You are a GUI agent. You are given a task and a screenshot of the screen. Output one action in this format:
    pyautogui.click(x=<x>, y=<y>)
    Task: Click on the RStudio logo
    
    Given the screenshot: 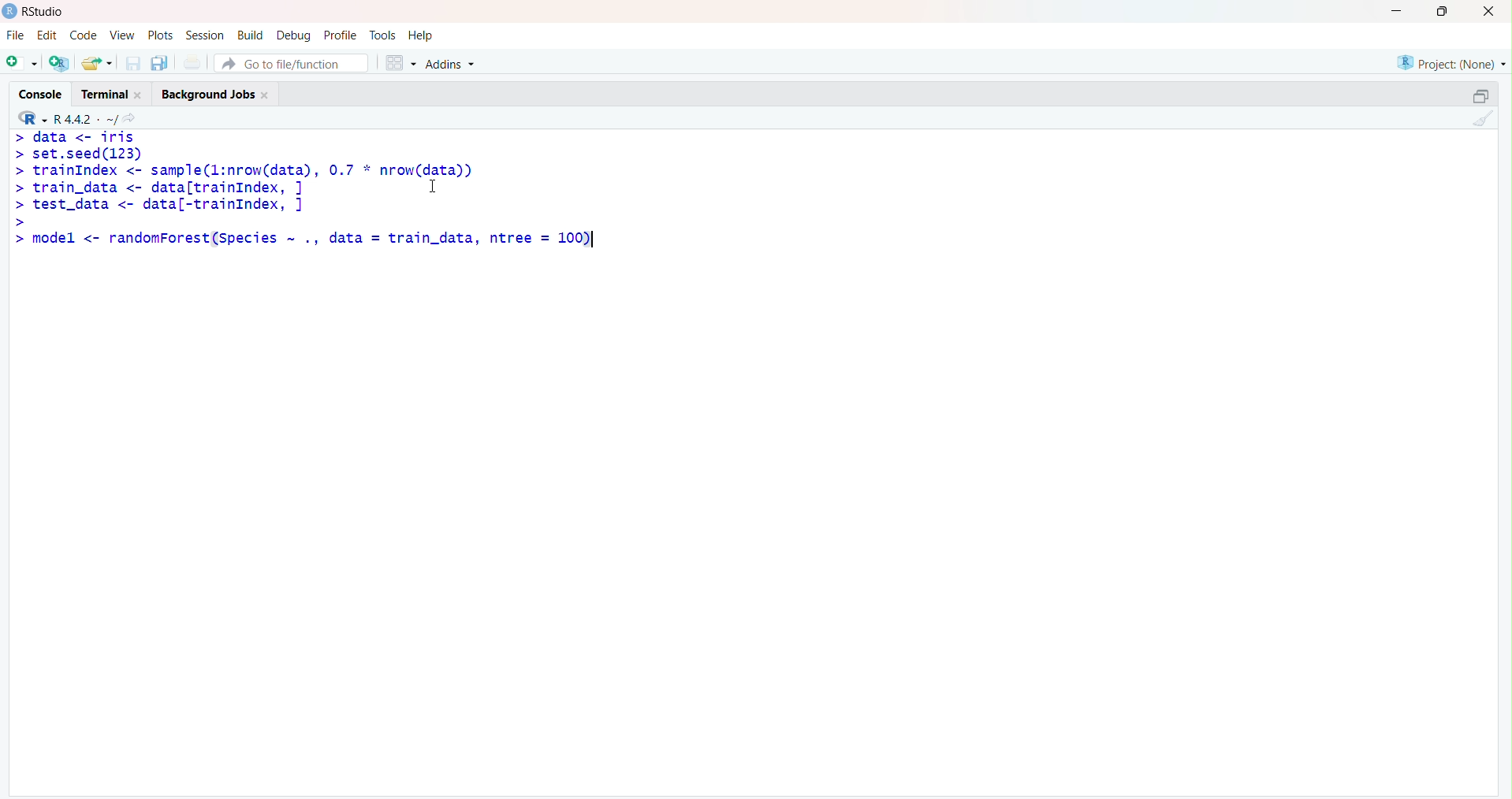 What is the action you would take?
    pyautogui.click(x=29, y=117)
    